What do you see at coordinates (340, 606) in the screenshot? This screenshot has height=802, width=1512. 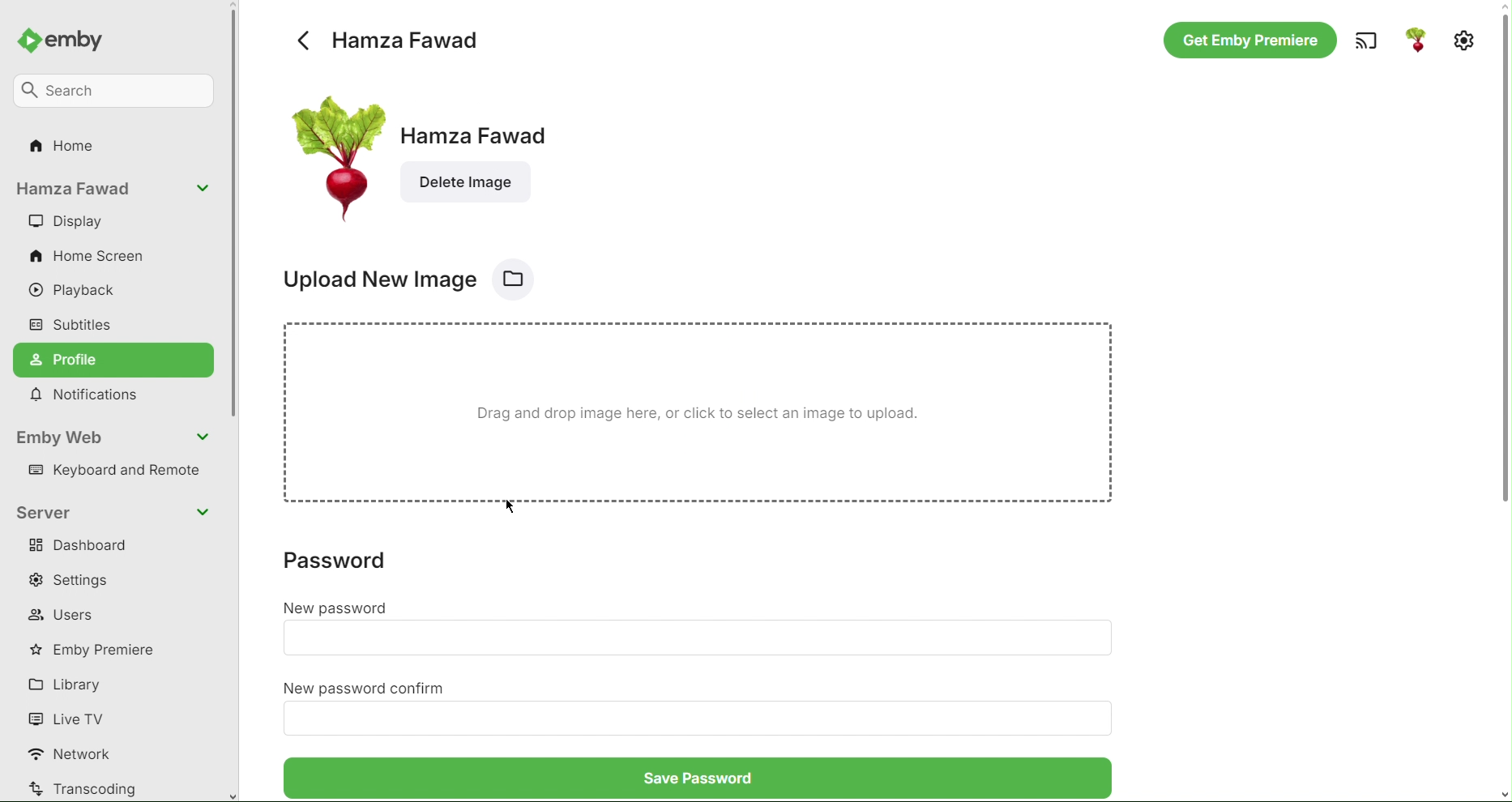 I see `New Password` at bounding box center [340, 606].